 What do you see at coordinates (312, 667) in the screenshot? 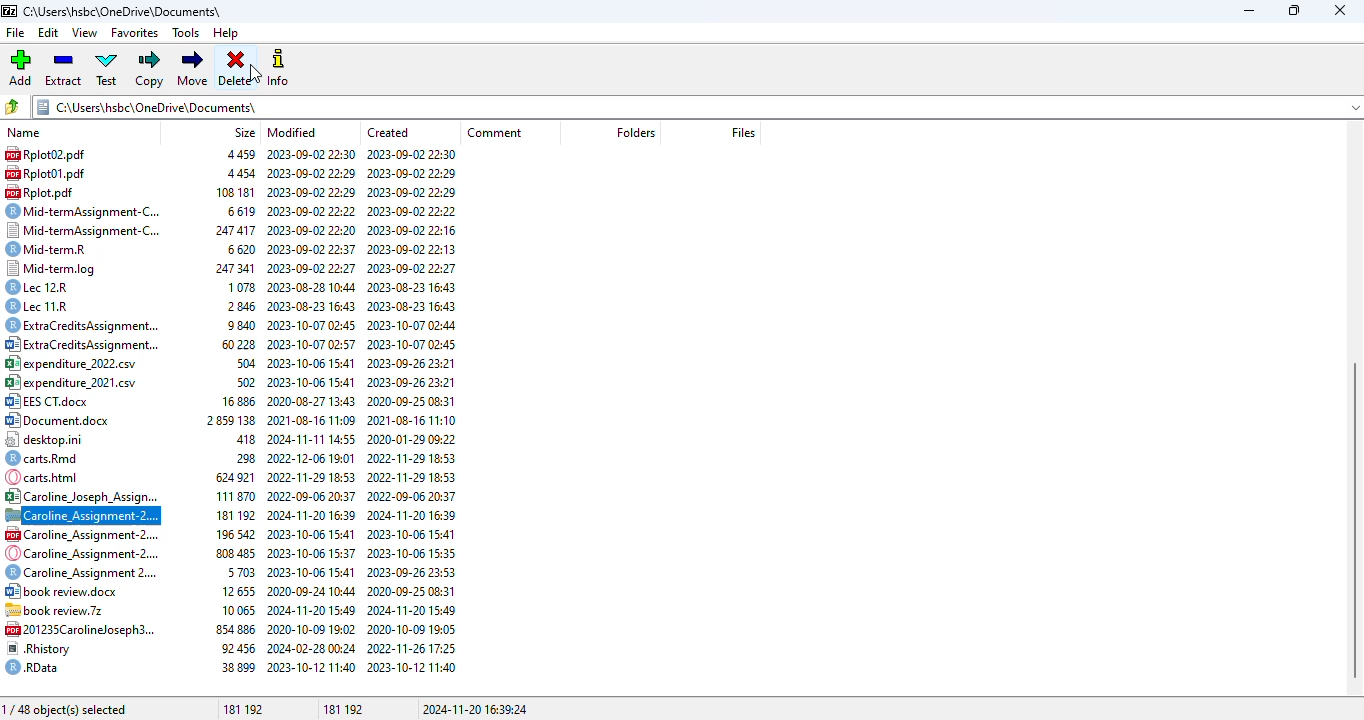
I see `2023-10-12 11:40` at bounding box center [312, 667].